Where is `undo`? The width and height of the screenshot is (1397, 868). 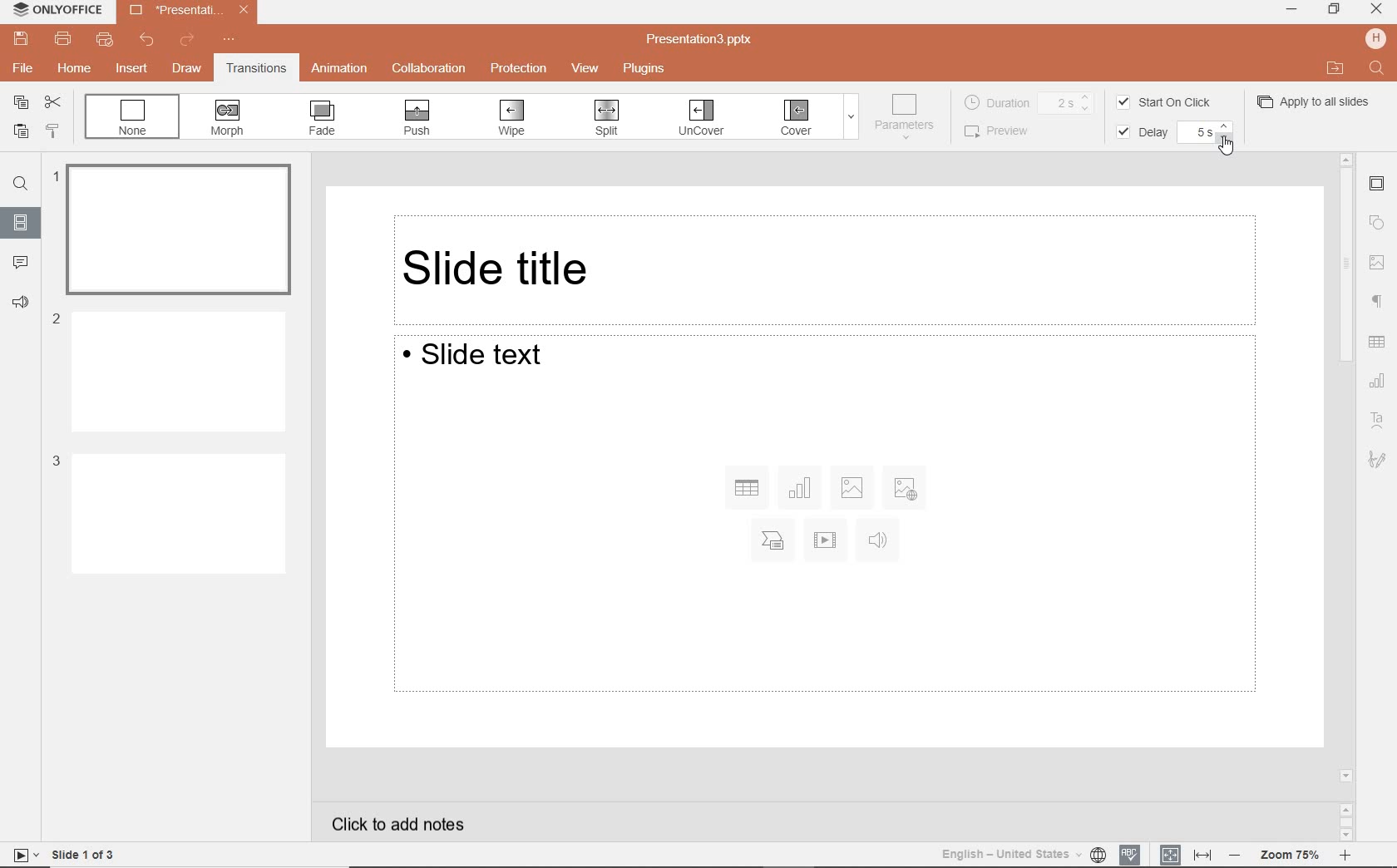 undo is located at coordinates (151, 41).